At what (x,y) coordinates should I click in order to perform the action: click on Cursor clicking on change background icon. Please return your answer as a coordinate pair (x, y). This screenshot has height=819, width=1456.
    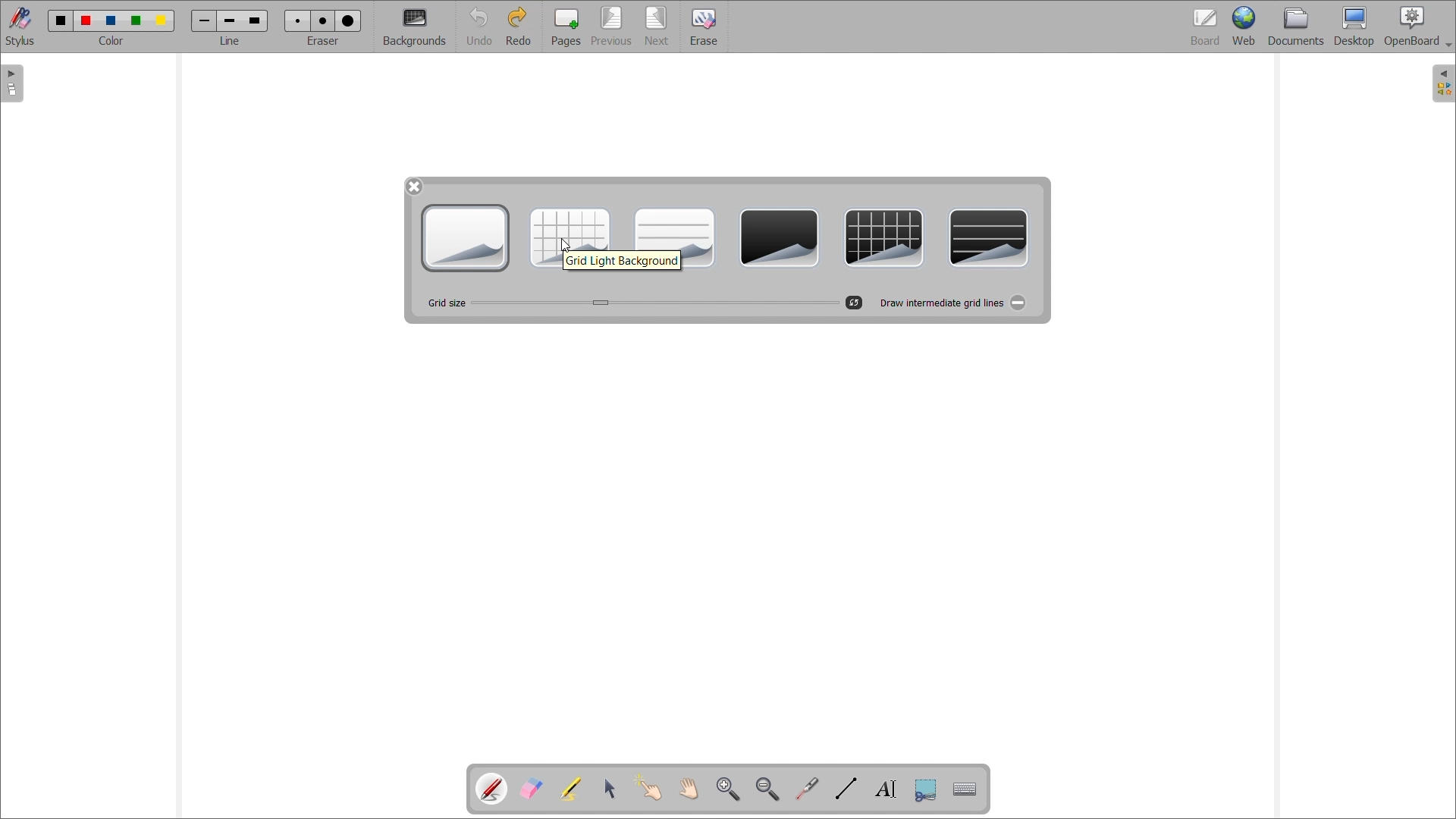
    Looking at the image, I should click on (419, 30).